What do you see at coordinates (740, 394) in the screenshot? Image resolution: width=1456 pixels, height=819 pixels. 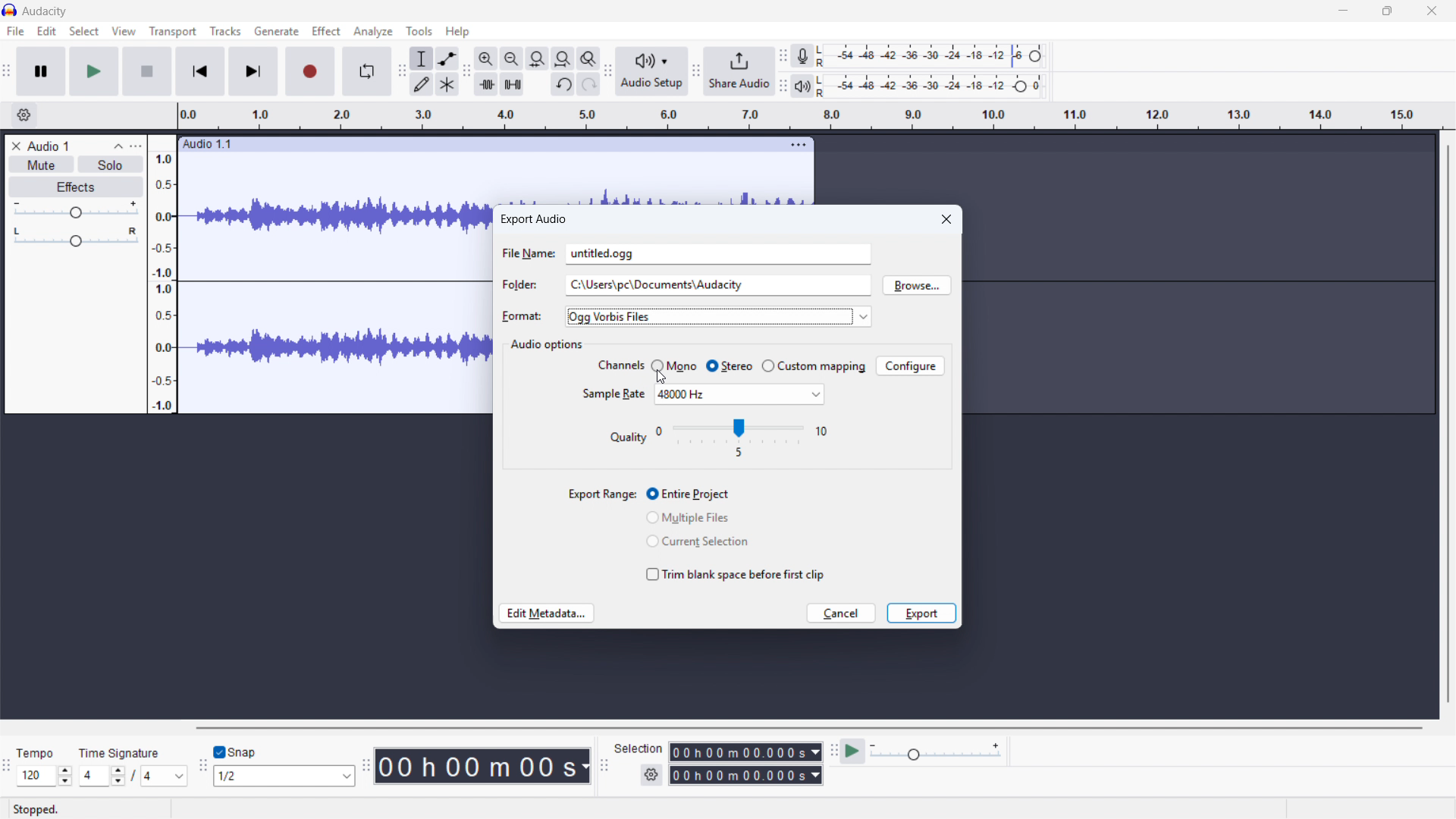 I see `Set sample rate ` at bounding box center [740, 394].